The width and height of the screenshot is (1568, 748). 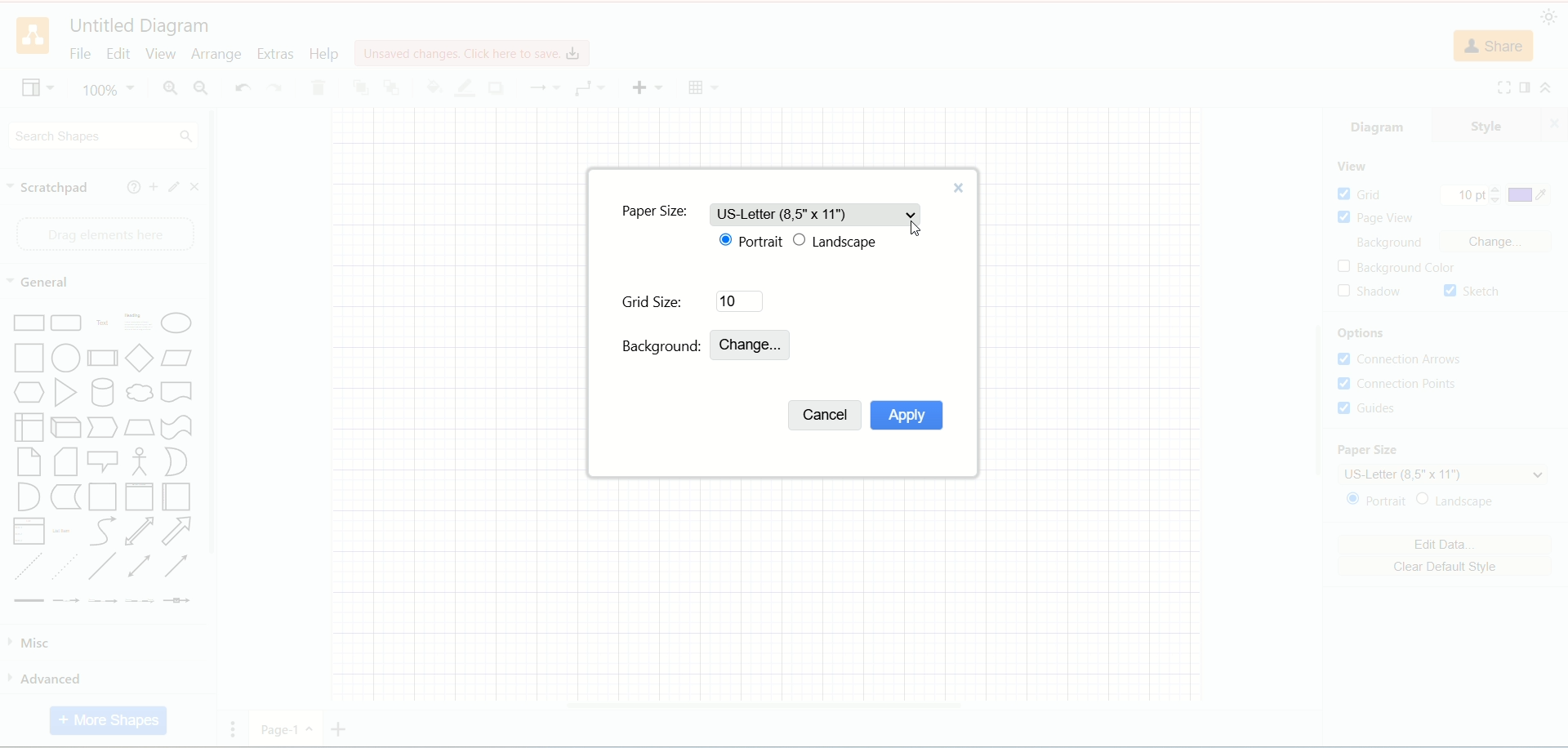 What do you see at coordinates (103, 428) in the screenshot?
I see `Step` at bounding box center [103, 428].